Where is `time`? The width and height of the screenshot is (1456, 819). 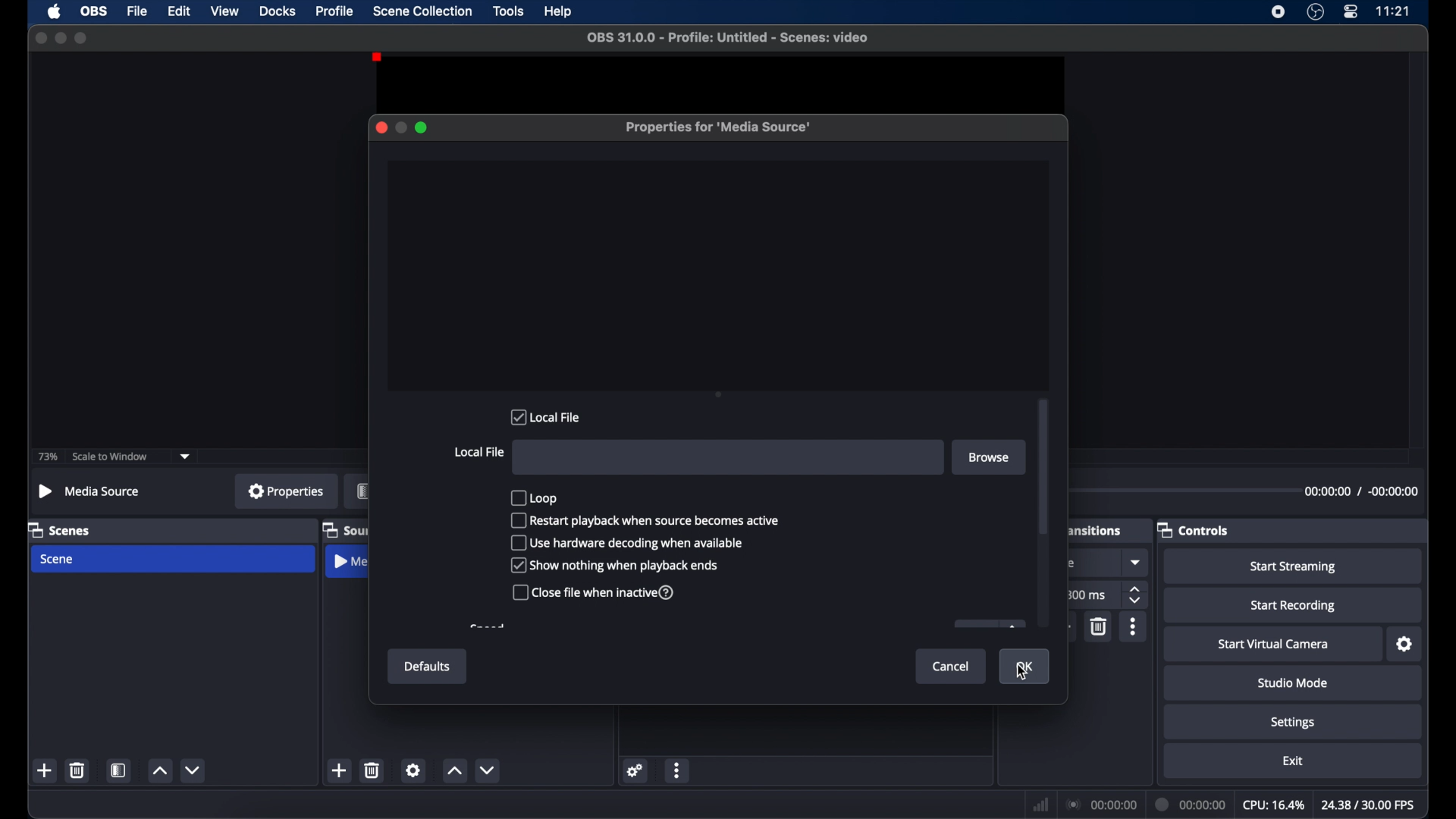
time is located at coordinates (1394, 11).